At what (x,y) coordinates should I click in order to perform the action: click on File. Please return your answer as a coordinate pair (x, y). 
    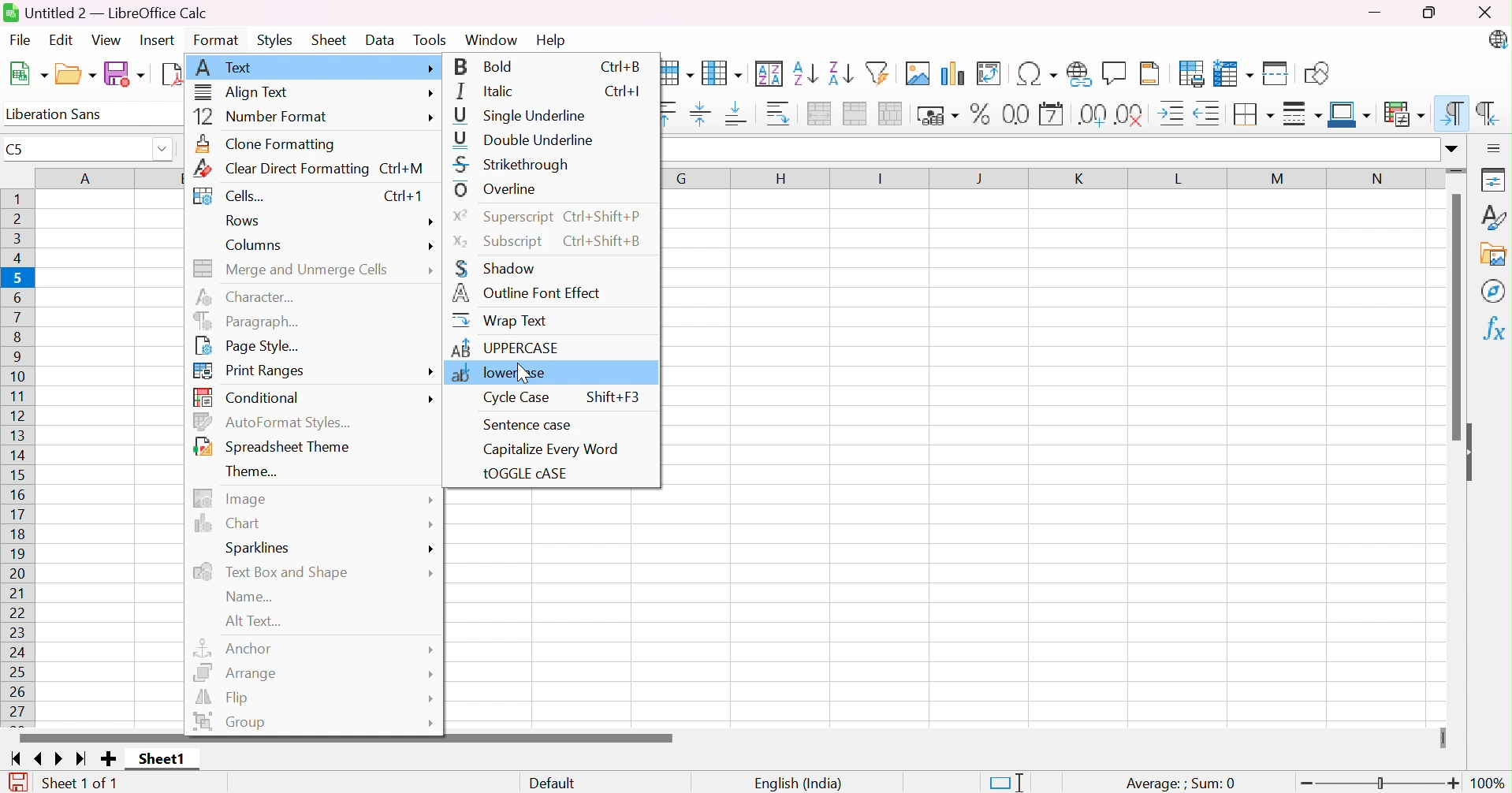
    Looking at the image, I should click on (23, 39).